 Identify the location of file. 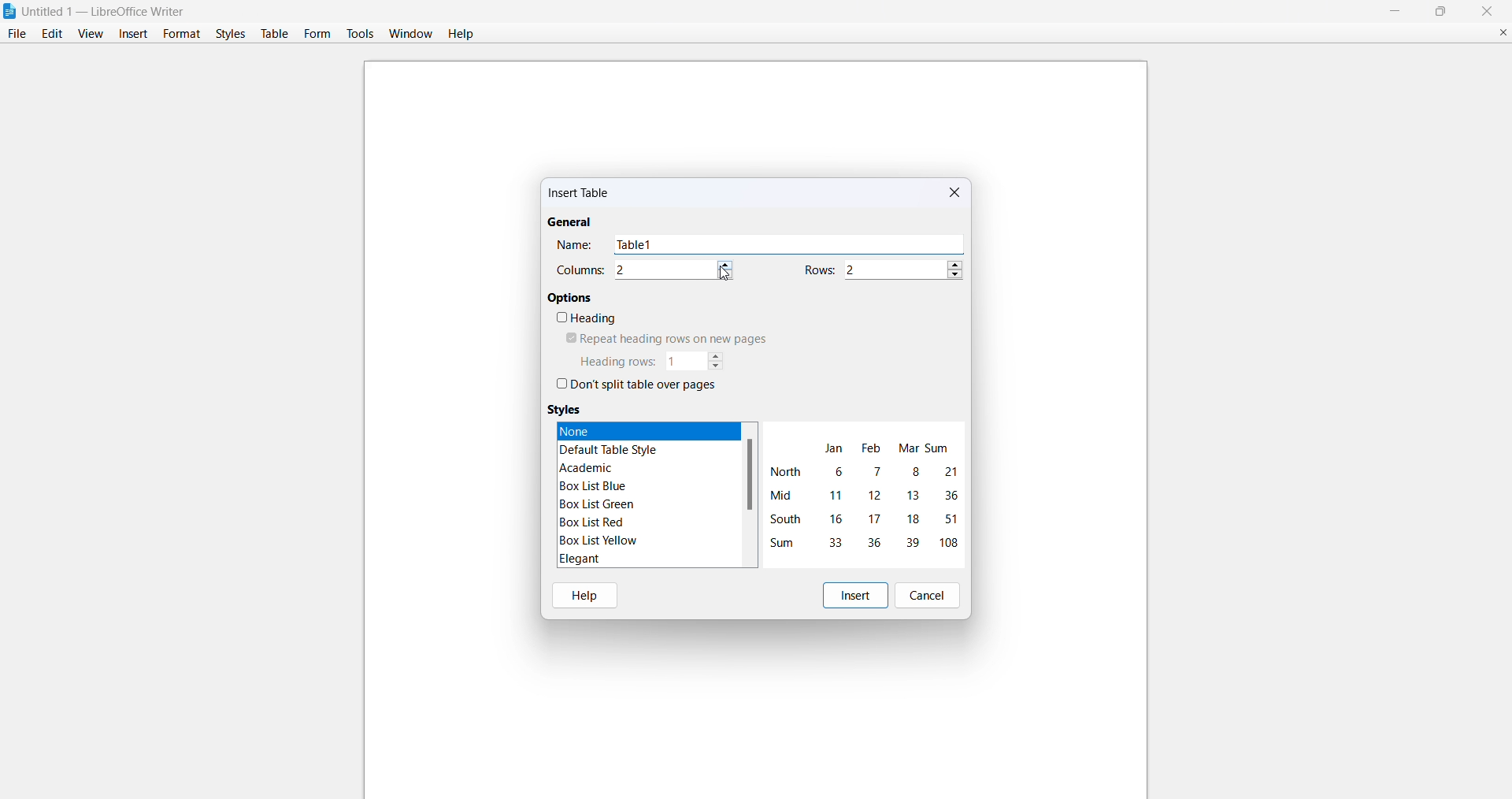
(15, 34).